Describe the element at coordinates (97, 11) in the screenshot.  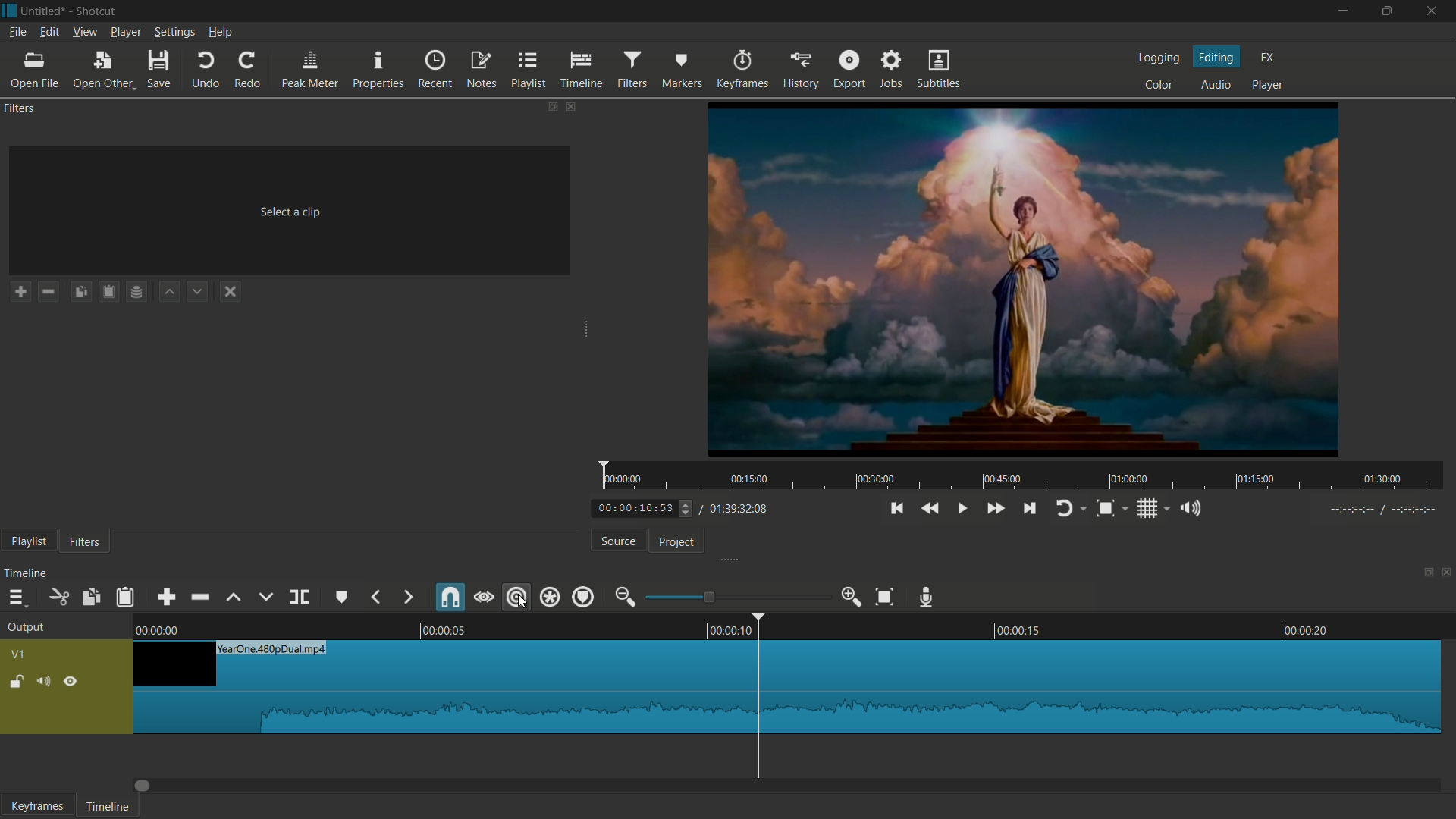
I see `app name` at that location.